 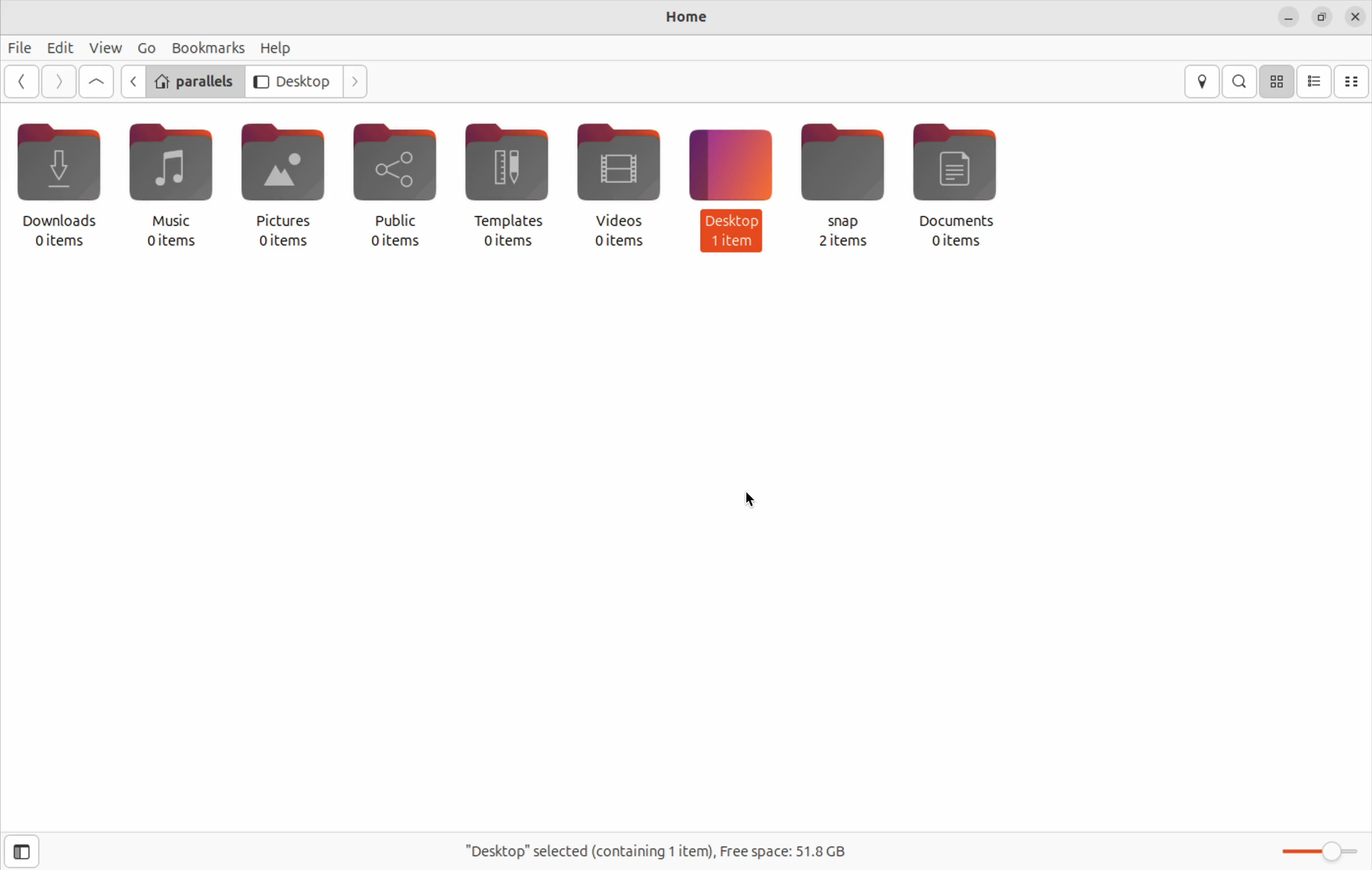 I want to click on resize, so click(x=1322, y=18).